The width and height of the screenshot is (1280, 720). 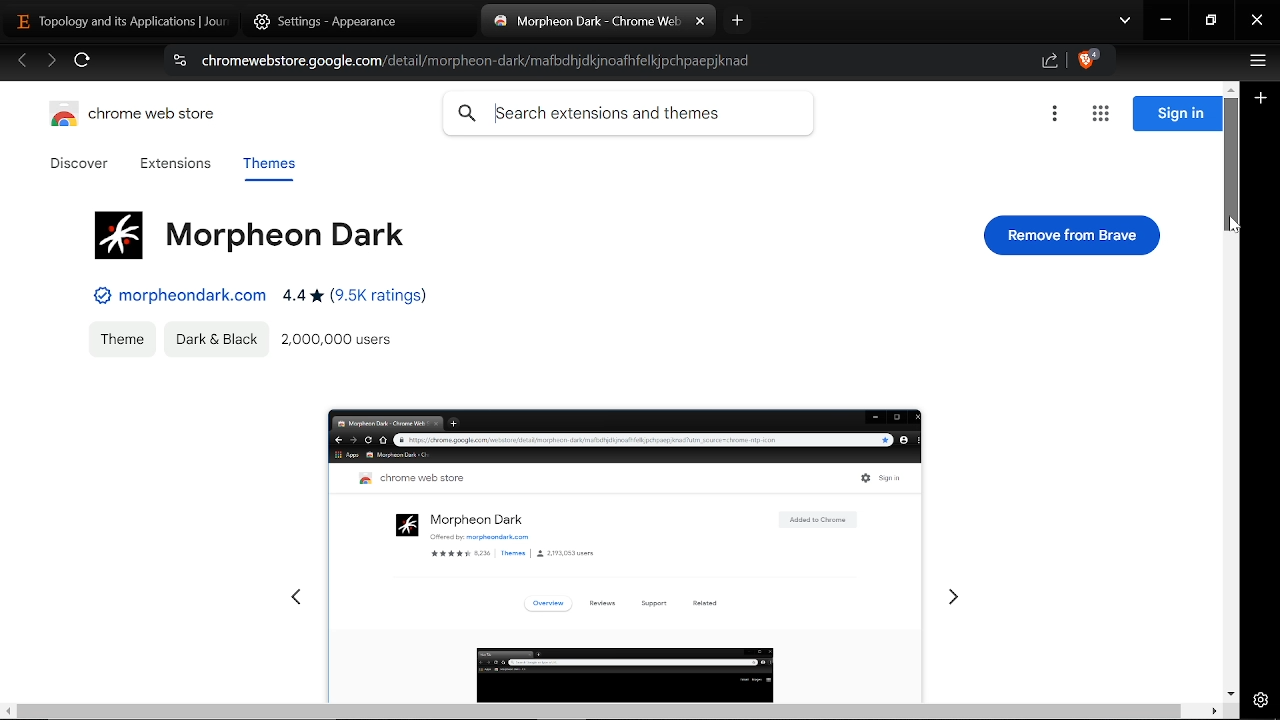 I want to click on cursor, so click(x=1233, y=227).